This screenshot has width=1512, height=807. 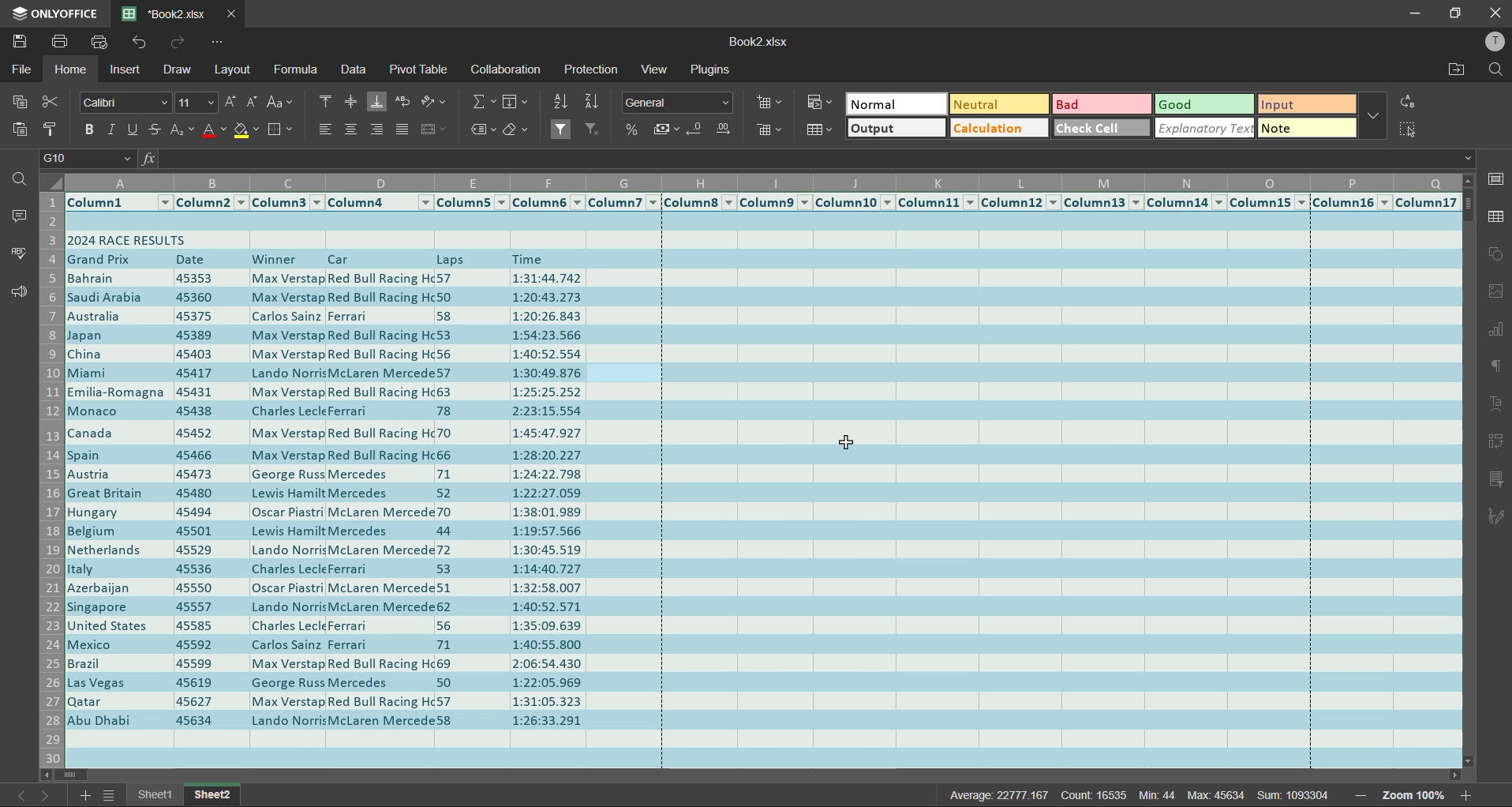 I want to click on more options, so click(x=1373, y=116).